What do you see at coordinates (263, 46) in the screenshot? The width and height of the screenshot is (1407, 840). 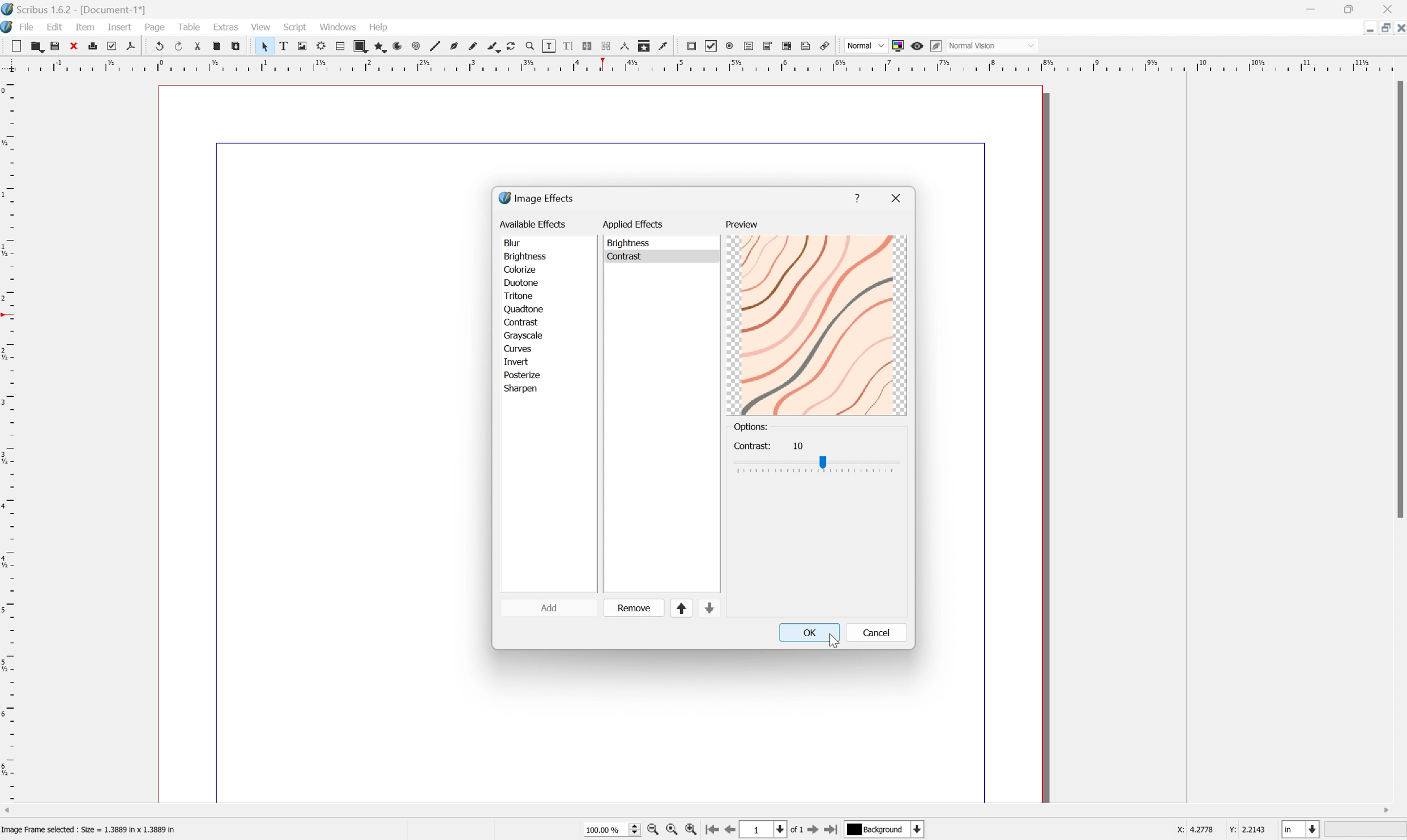 I see `Select item` at bounding box center [263, 46].